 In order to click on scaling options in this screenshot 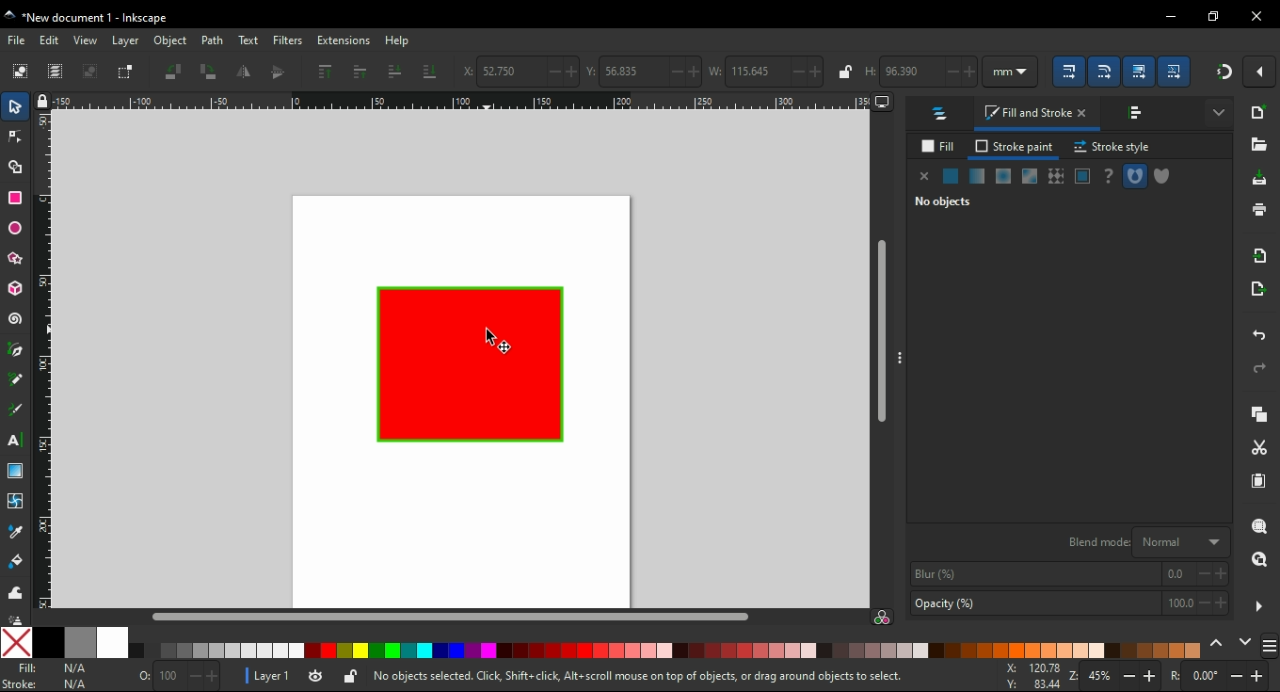, I will do `click(1138, 71)`.